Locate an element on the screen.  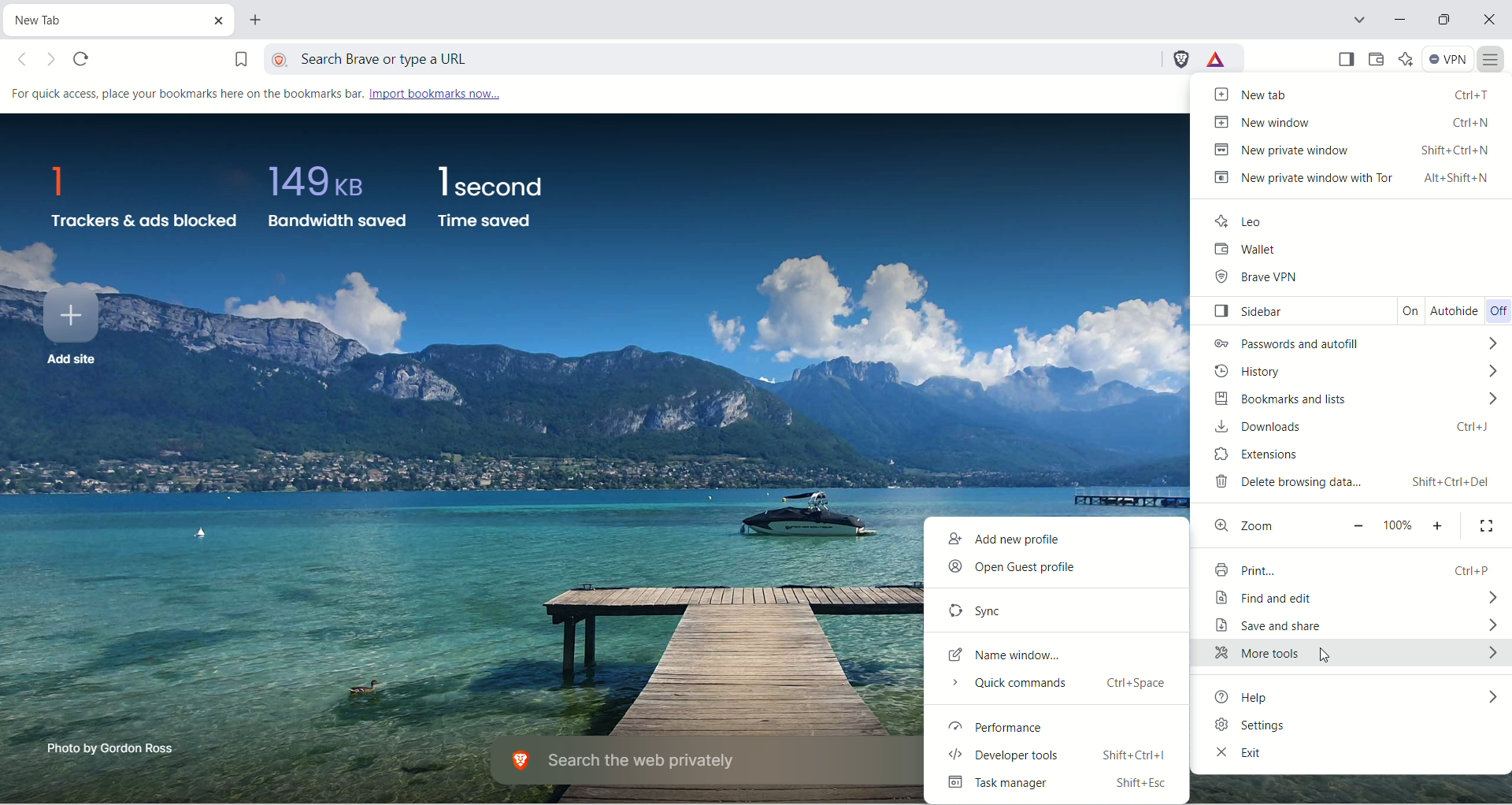
zoom is located at coordinates (1354, 525).